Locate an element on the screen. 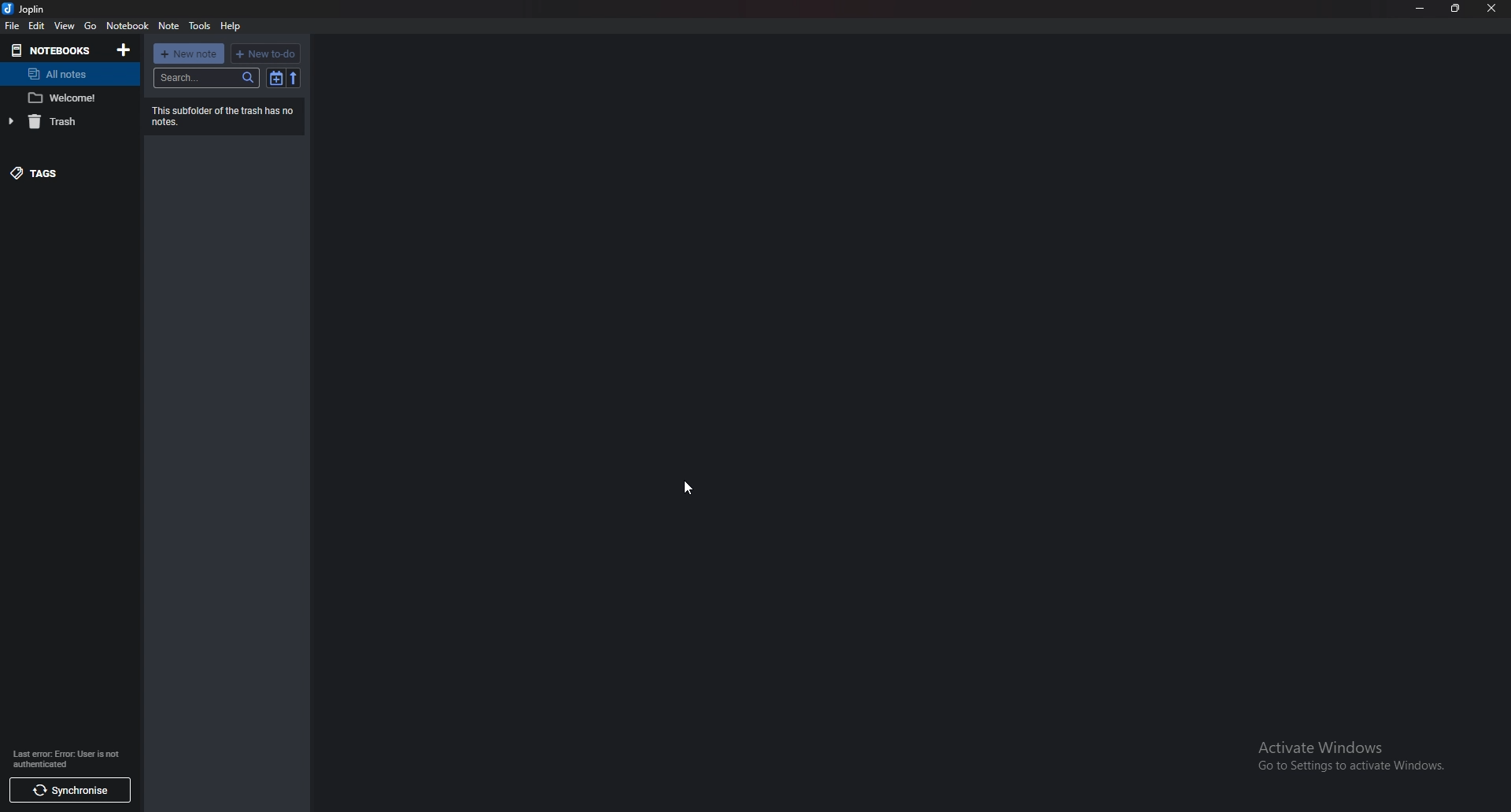 Image resolution: width=1511 pixels, height=812 pixels. go is located at coordinates (91, 26).